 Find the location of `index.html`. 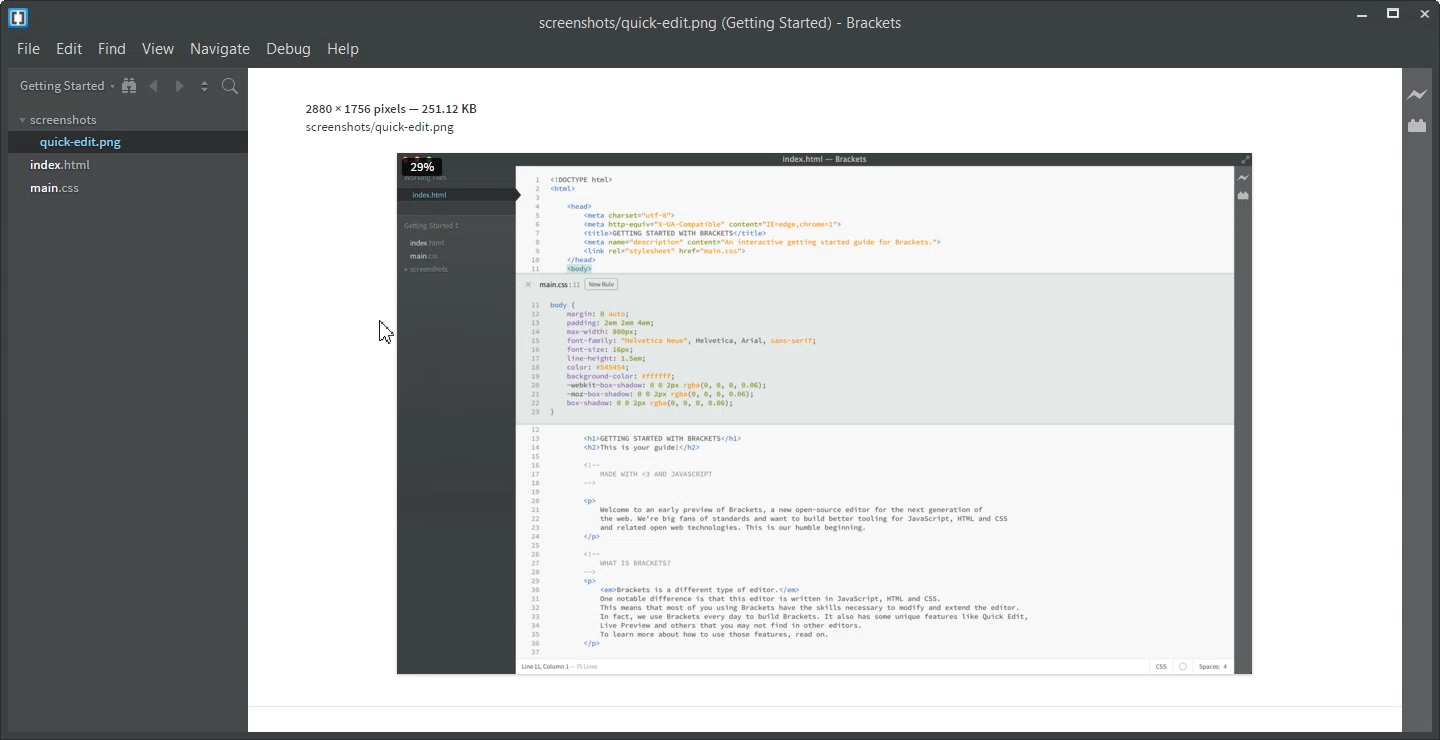

index.html is located at coordinates (59, 165).